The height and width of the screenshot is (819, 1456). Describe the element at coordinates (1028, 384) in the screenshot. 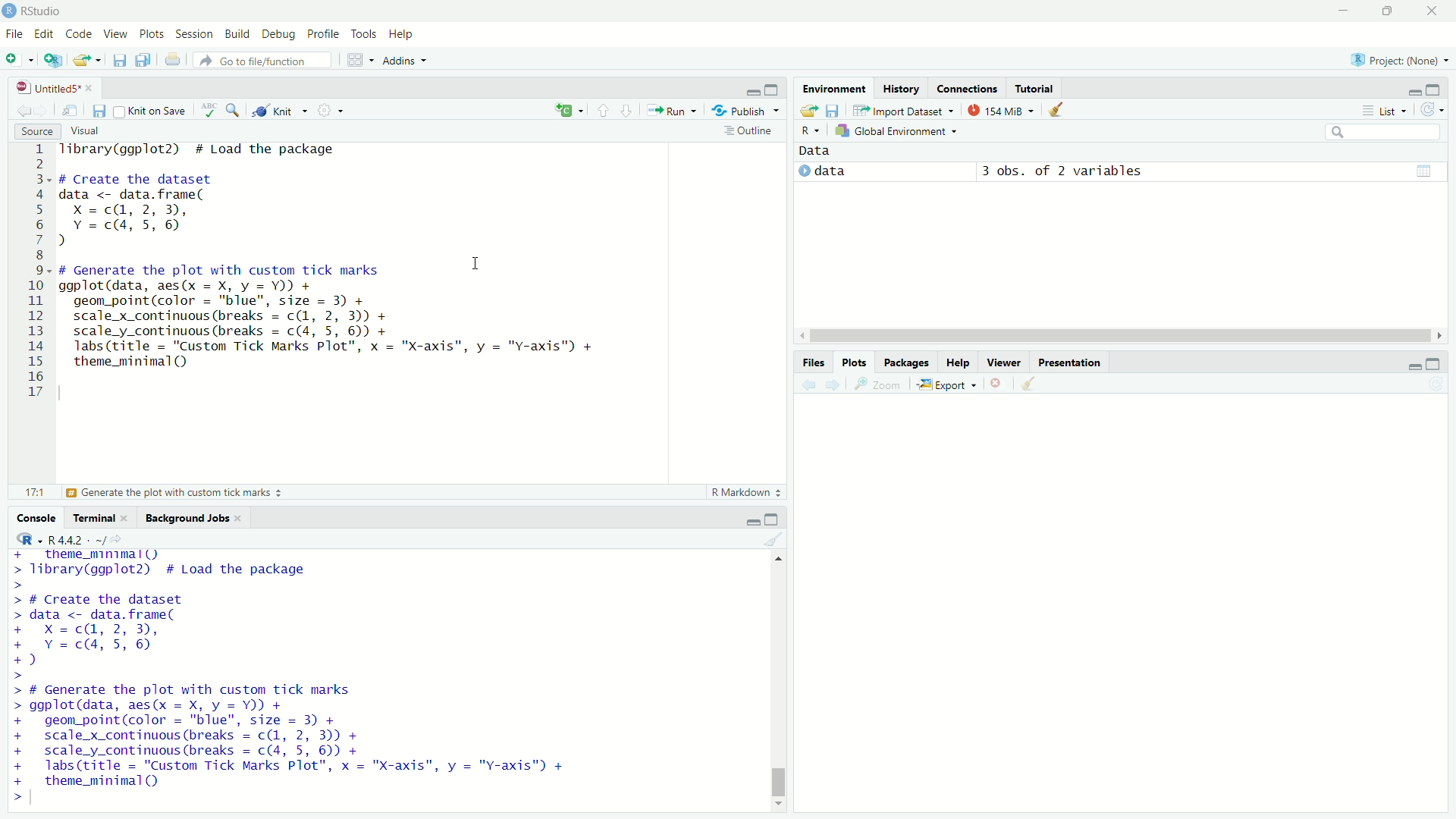

I see `clear all plots` at that location.